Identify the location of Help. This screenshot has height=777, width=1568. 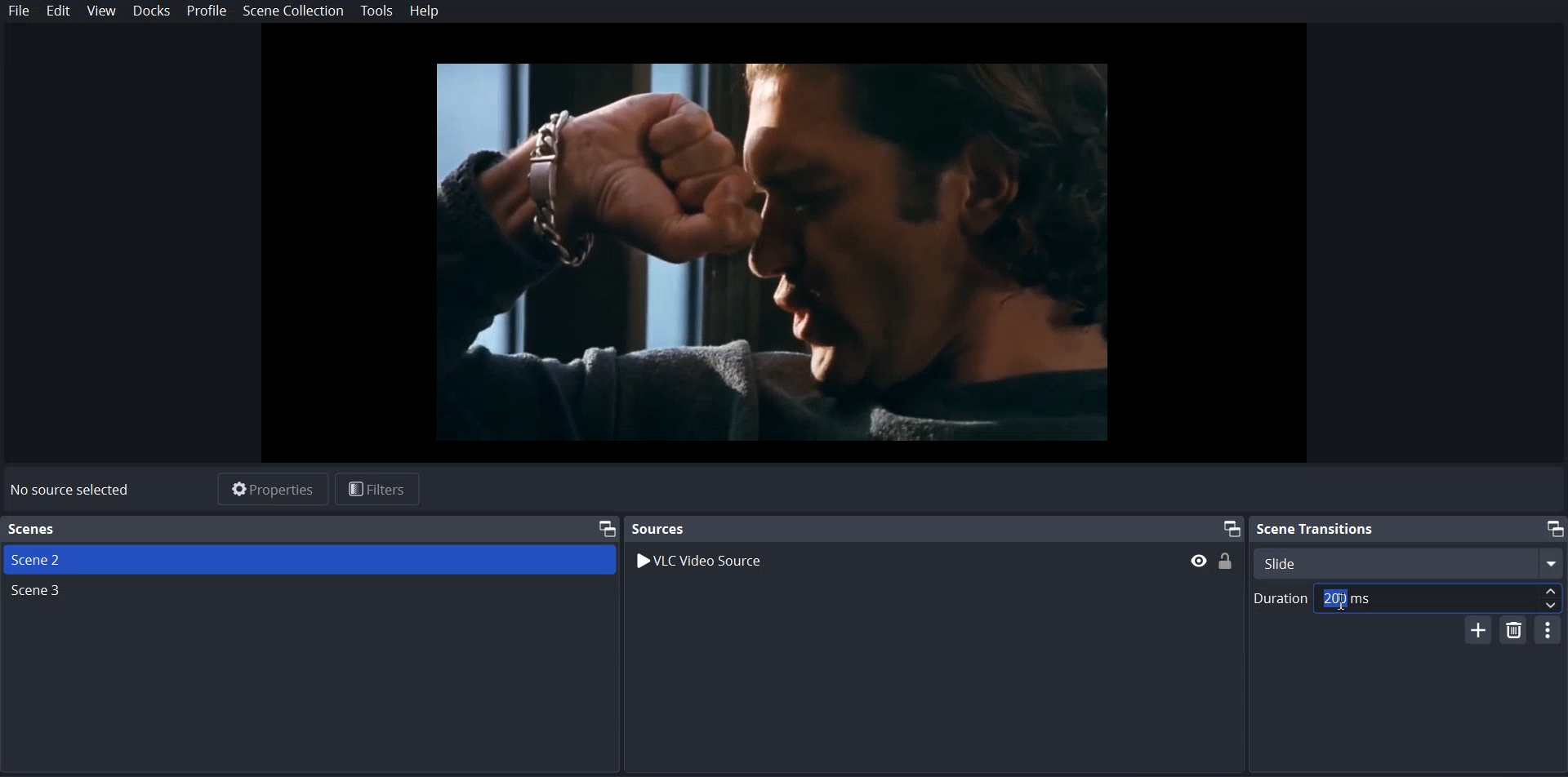
(423, 12).